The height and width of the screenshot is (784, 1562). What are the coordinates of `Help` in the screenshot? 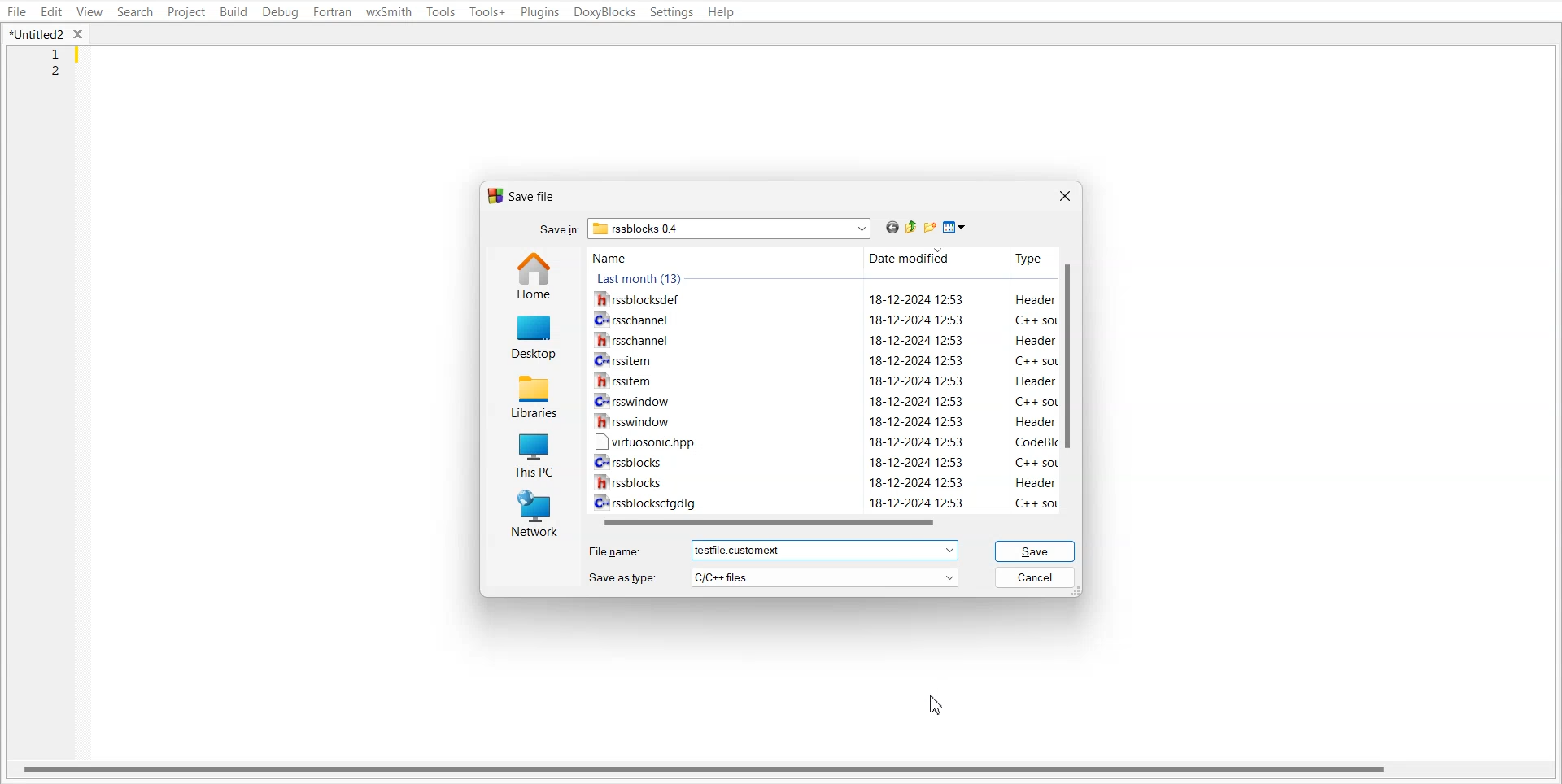 It's located at (723, 12).